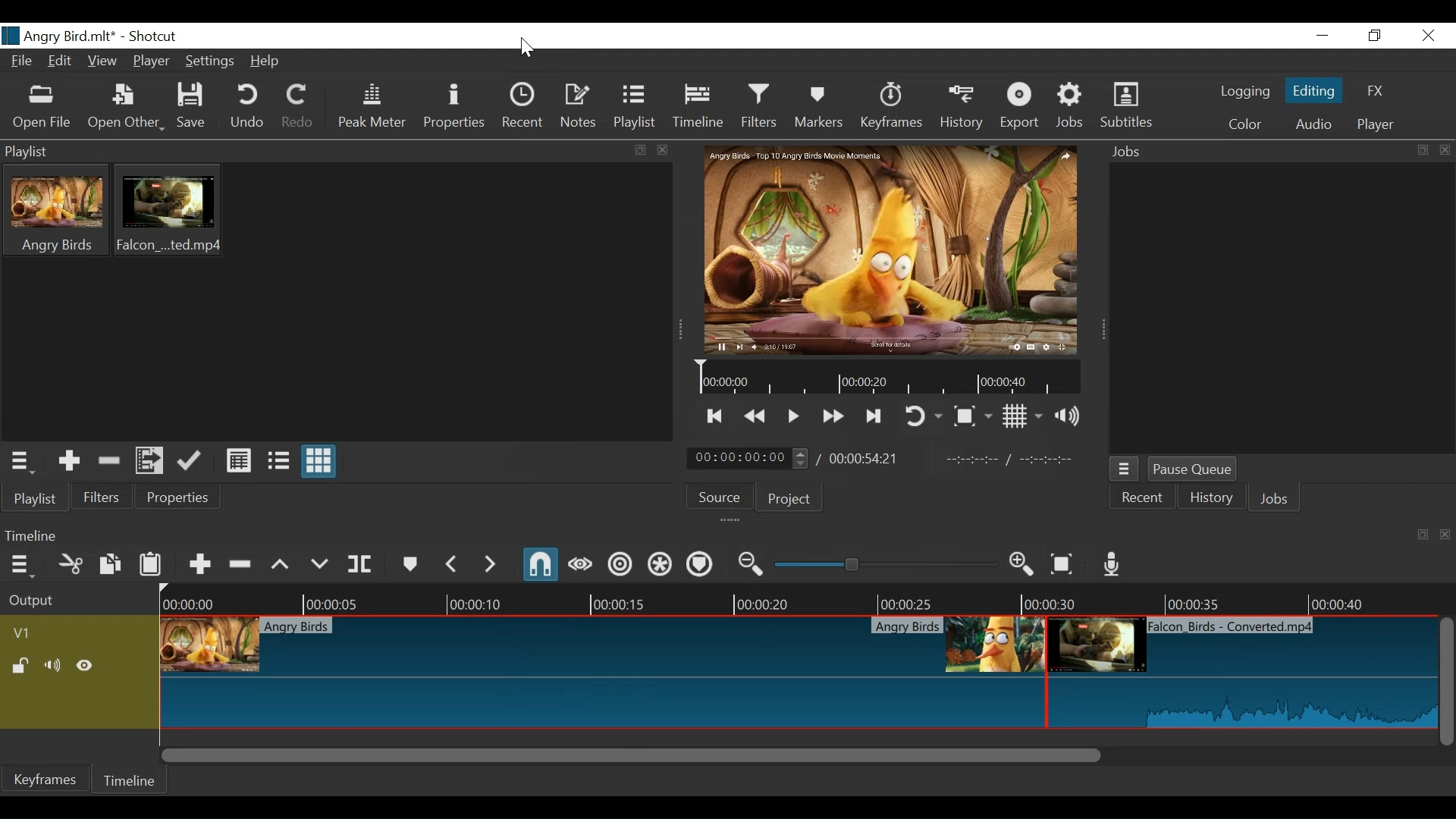  Describe the element at coordinates (111, 564) in the screenshot. I see `Copy` at that location.